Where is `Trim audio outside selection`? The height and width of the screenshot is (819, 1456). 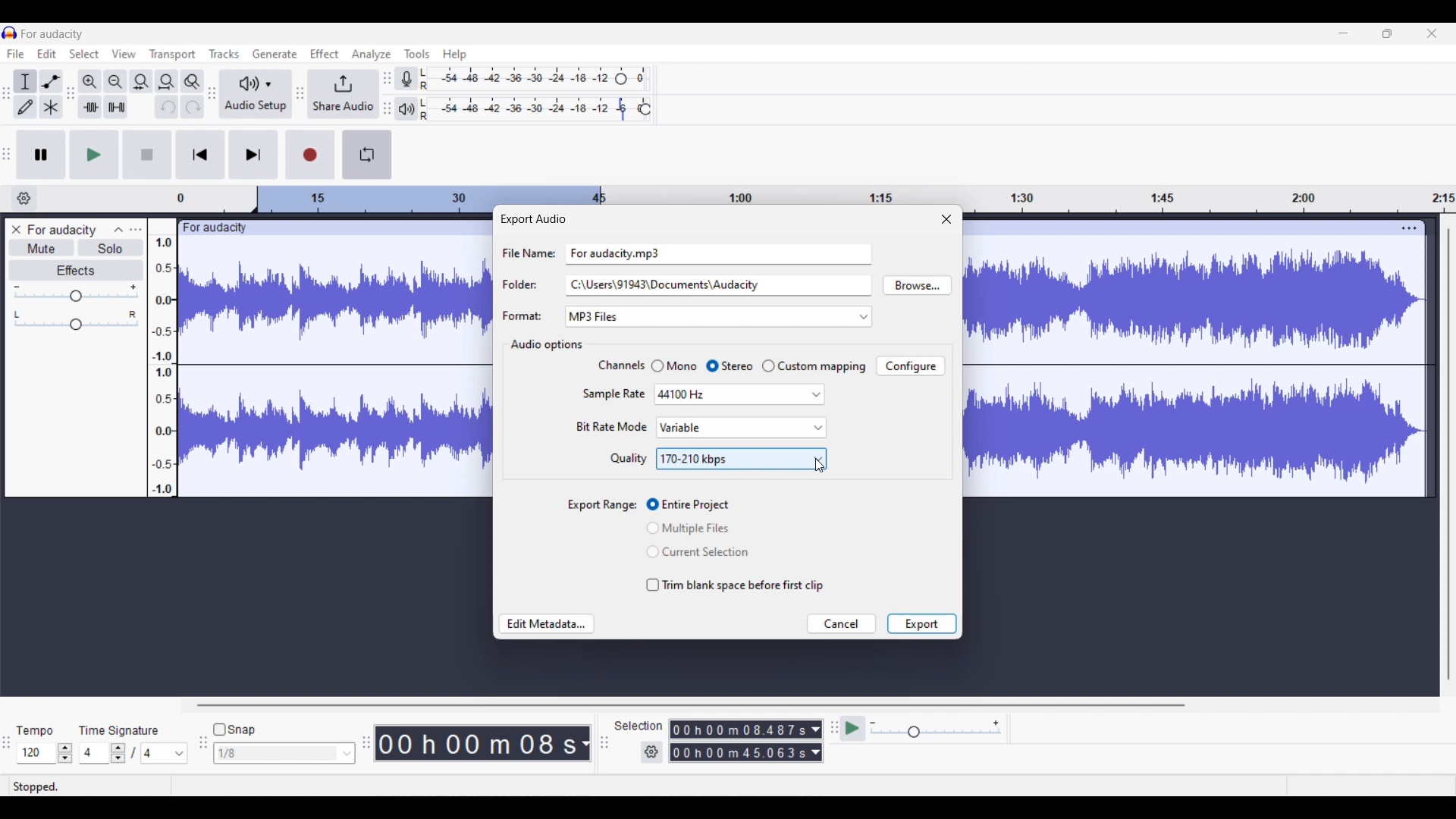
Trim audio outside selection is located at coordinates (90, 107).